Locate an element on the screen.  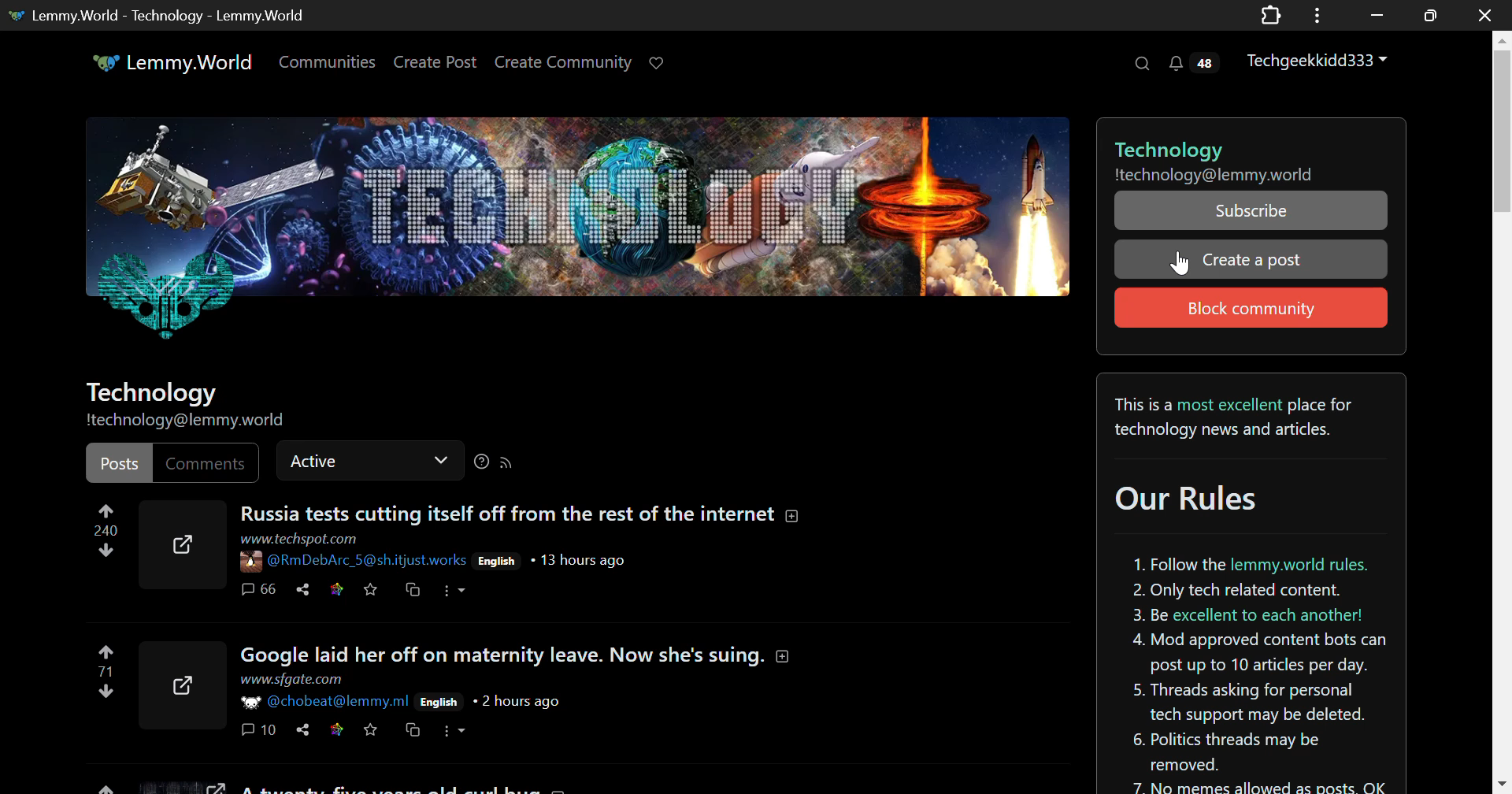
Restore Down is located at coordinates (1377, 15).